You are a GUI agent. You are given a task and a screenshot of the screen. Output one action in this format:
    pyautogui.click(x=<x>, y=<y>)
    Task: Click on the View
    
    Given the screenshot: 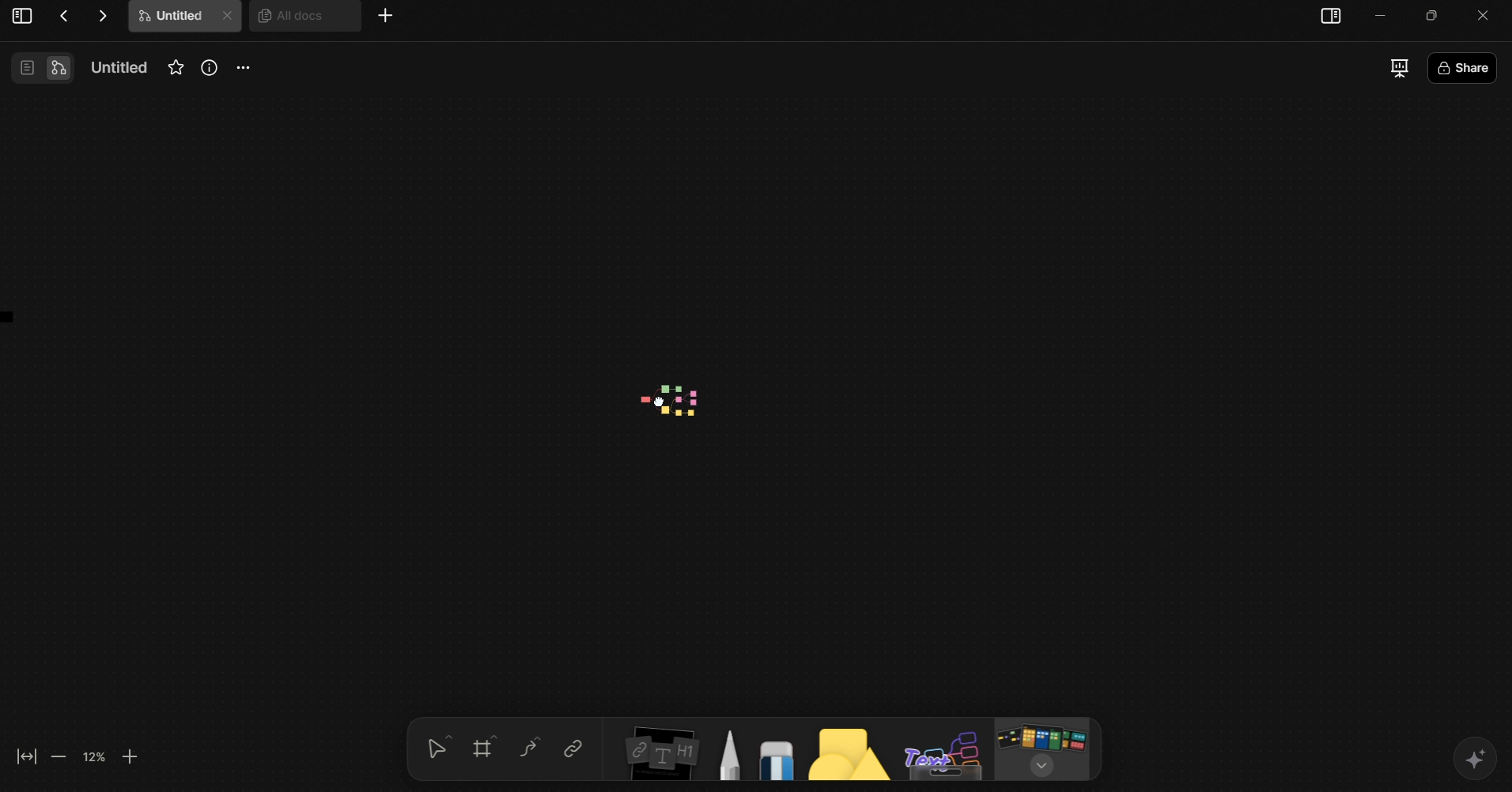 What is the action you would take?
    pyautogui.click(x=21, y=18)
    